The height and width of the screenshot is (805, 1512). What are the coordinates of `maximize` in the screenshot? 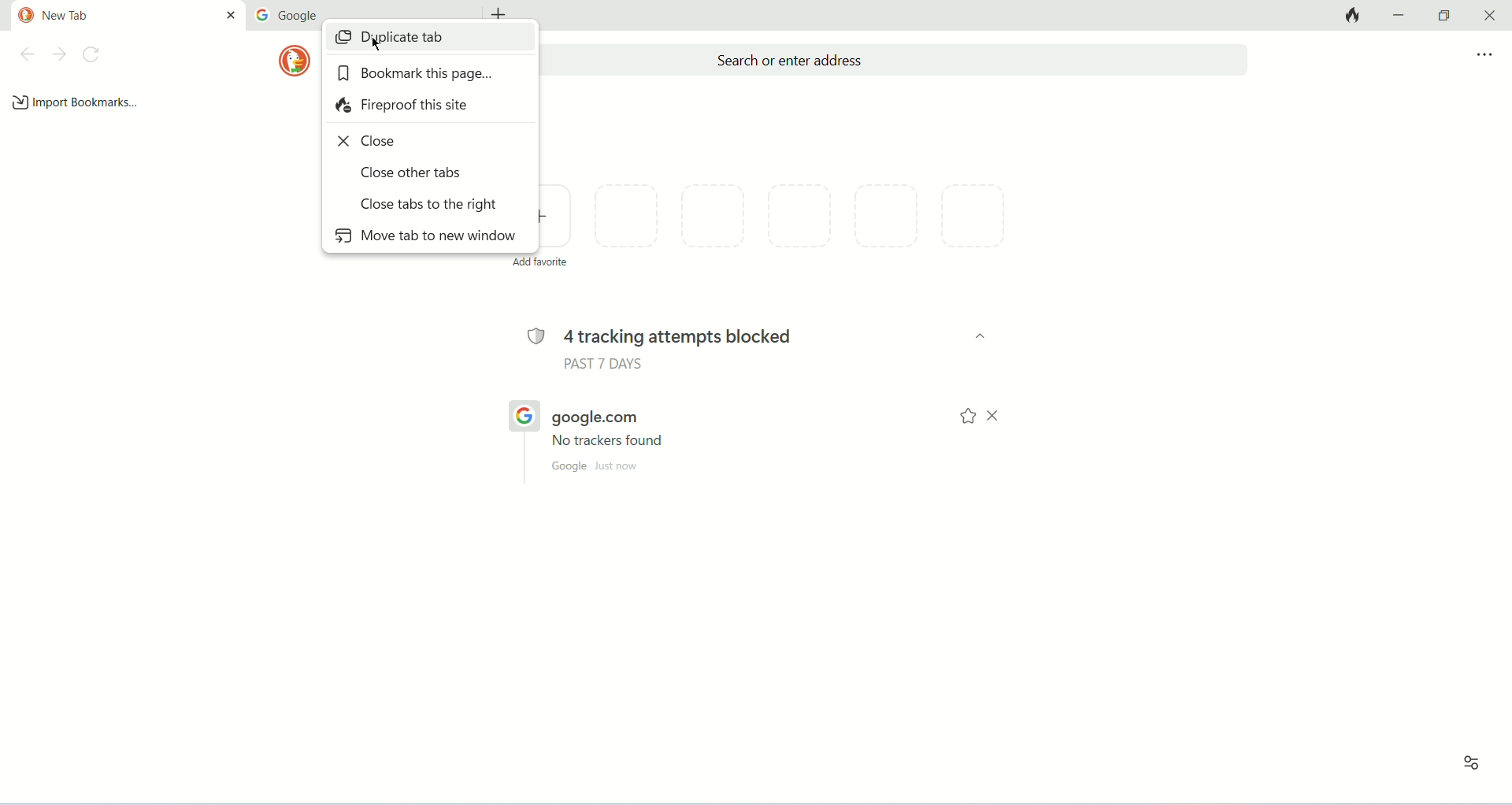 It's located at (1442, 13).